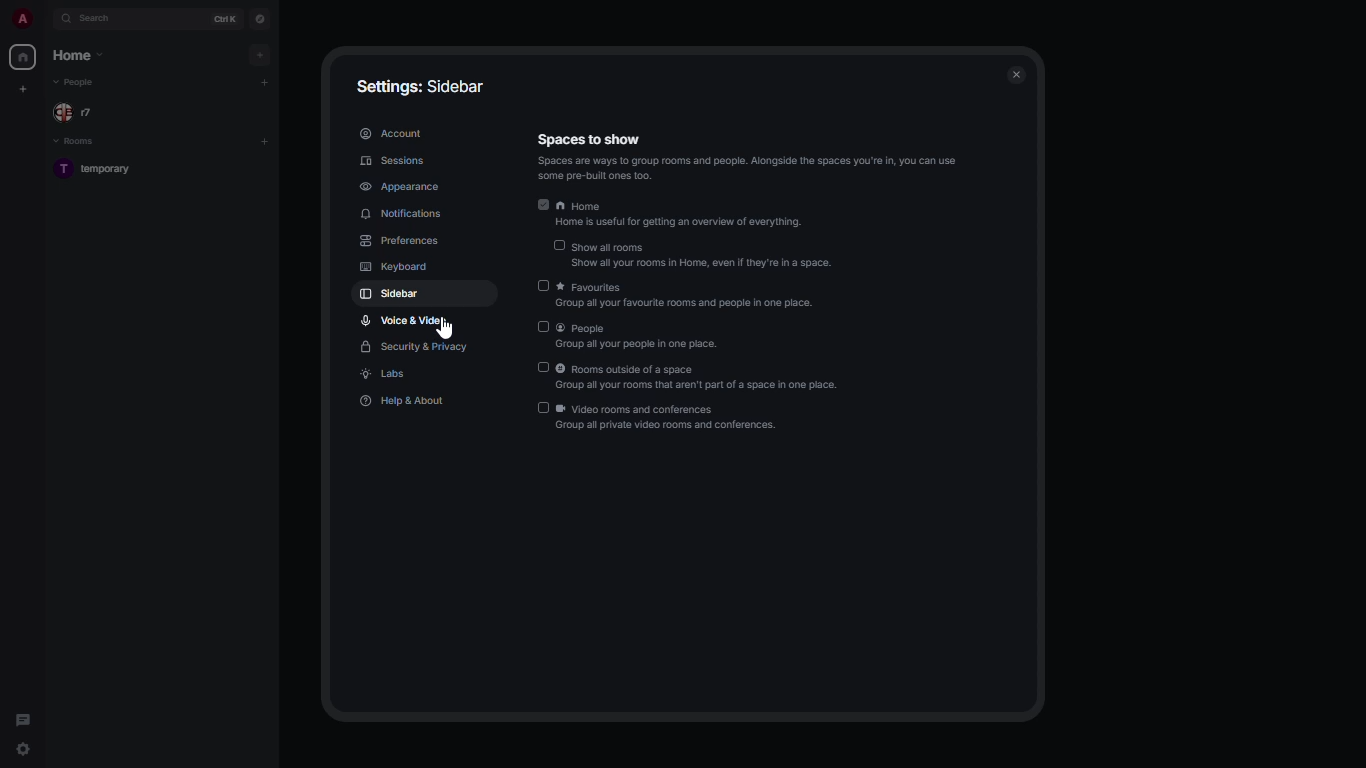 Image resolution: width=1366 pixels, height=768 pixels. What do you see at coordinates (404, 321) in the screenshot?
I see `voice & video` at bounding box center [404, 321].